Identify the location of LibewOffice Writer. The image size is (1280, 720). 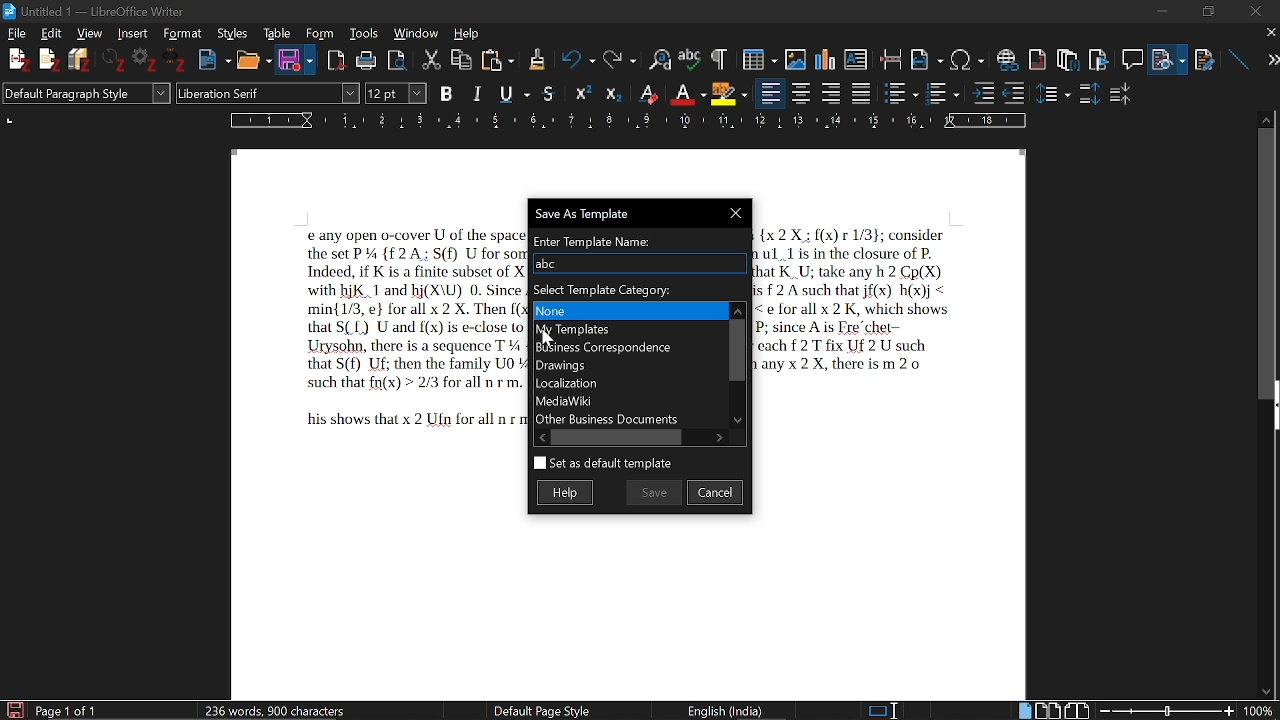
(9, 10).